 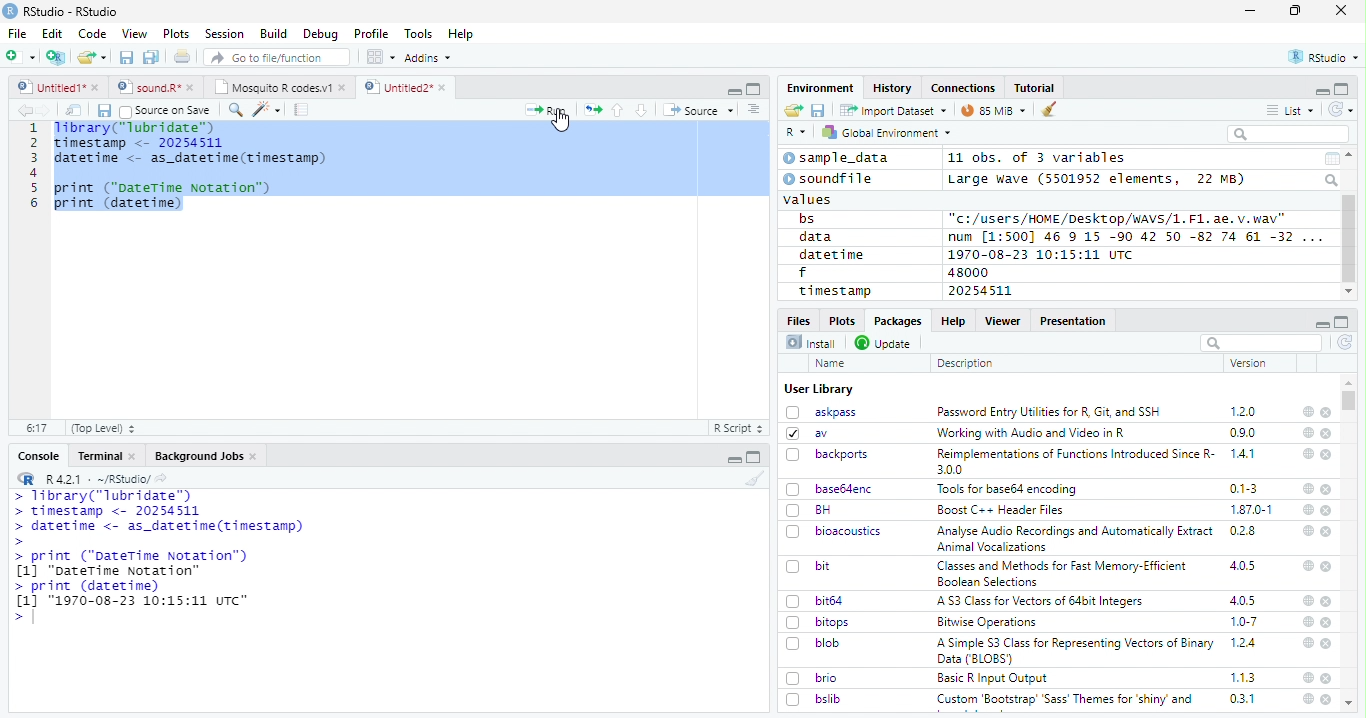 What do you see at coordinates (893, 110) in the screenshot?
I see `Import Dataset` at bounding box center [893, 110].